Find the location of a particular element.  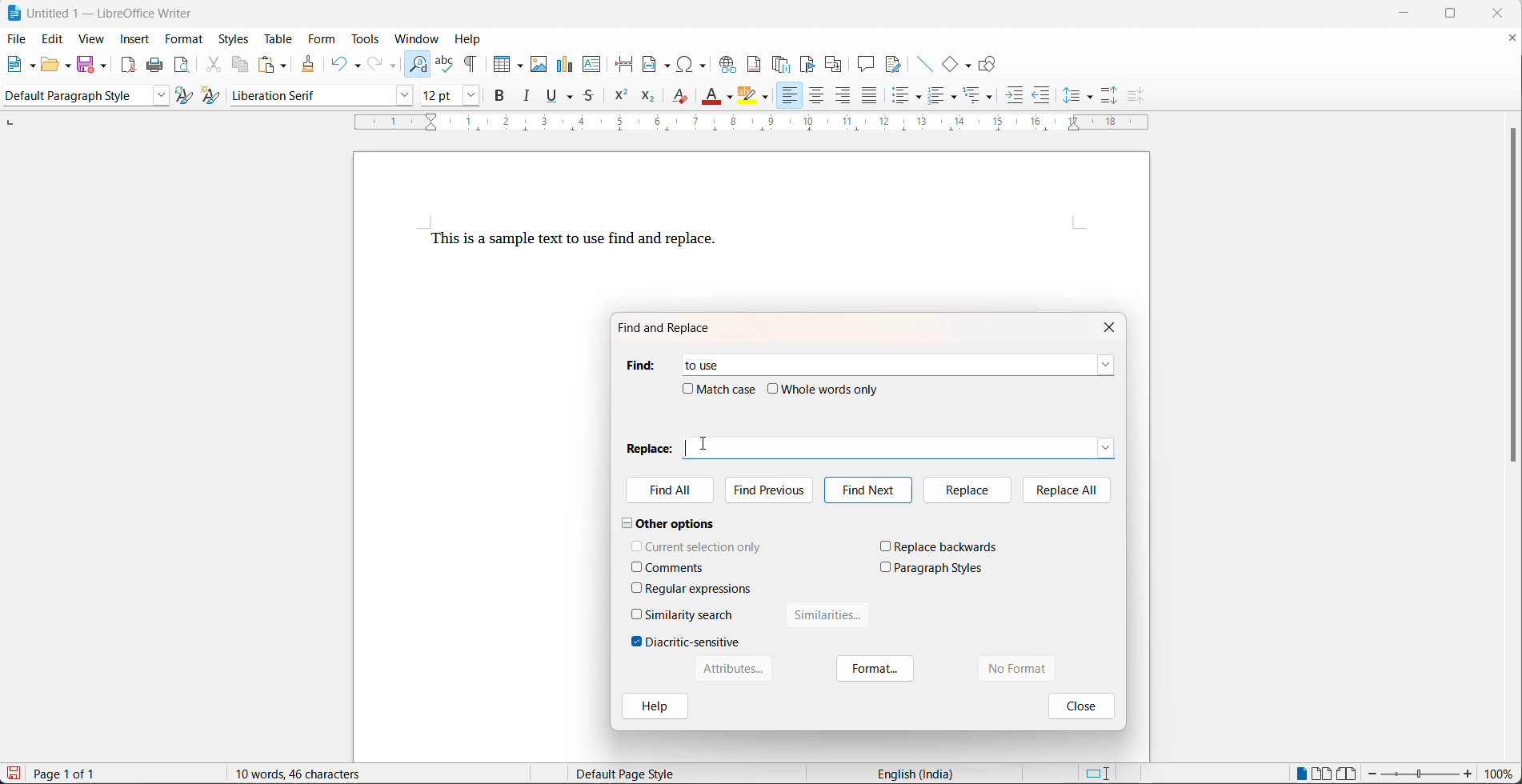

create new style with selection is located at coordinates (214, 95).